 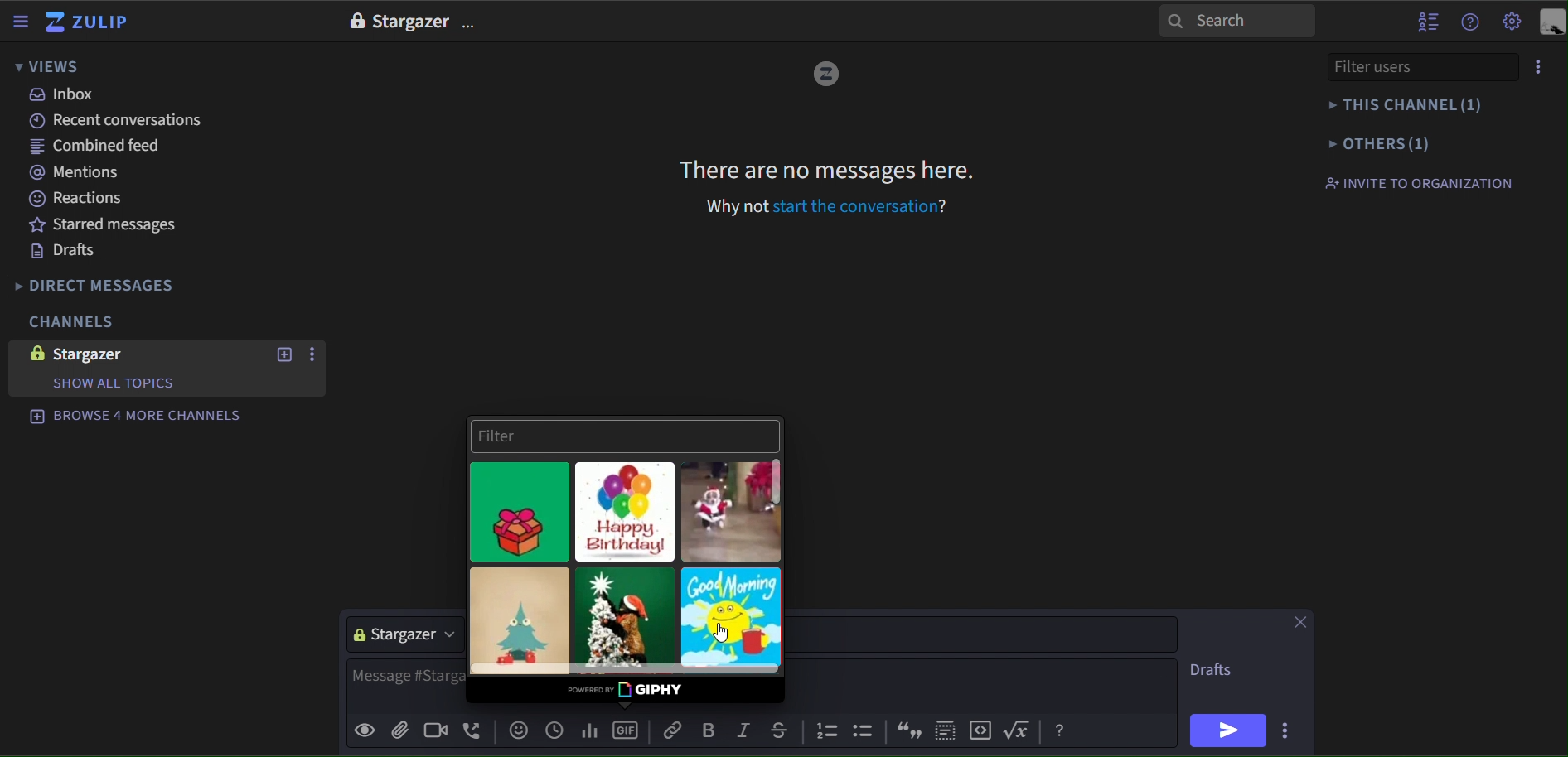 What do you see at coordinates (315, 355) in the screenshot?
I see `options` at bounding box center [315, 355].